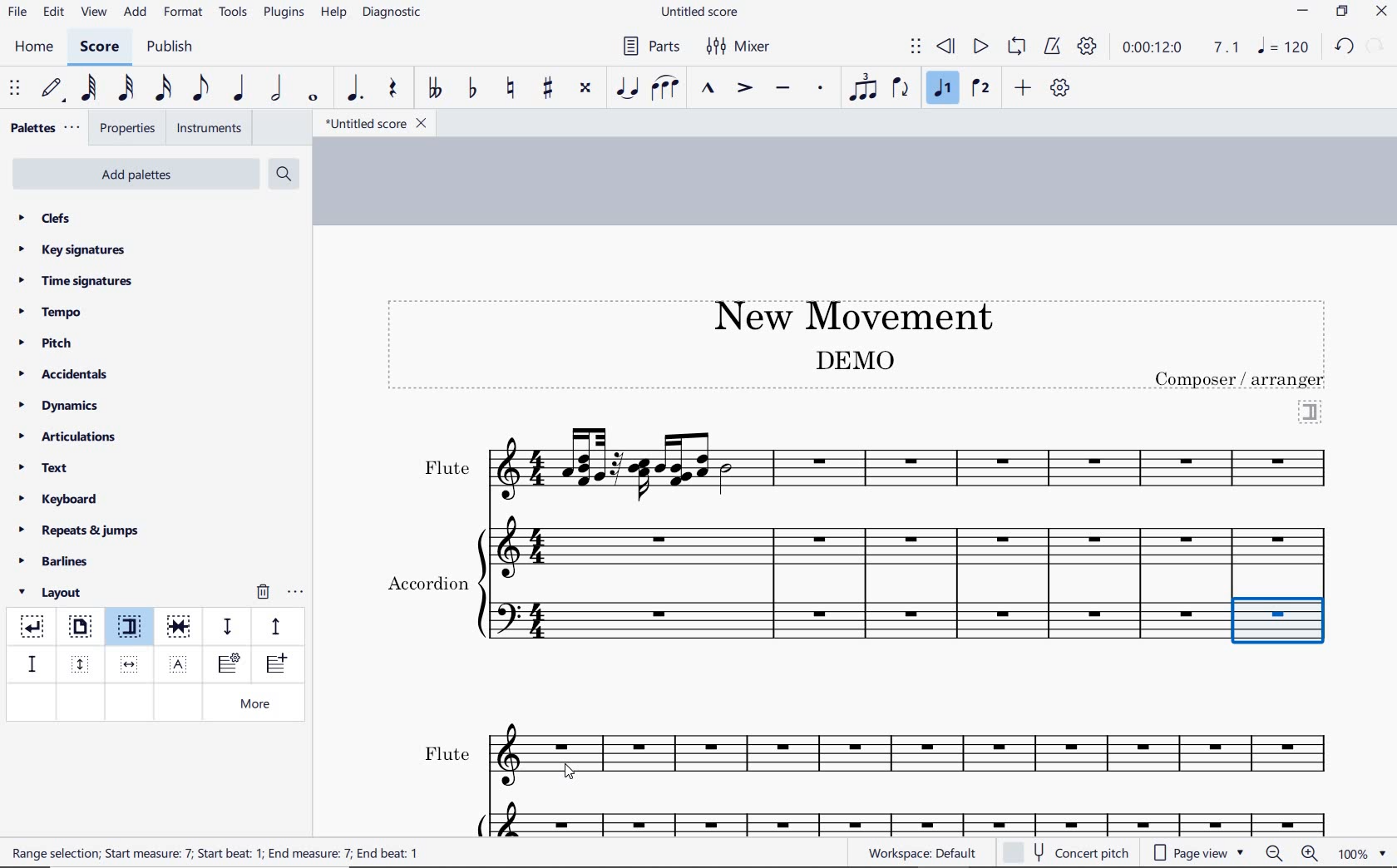 The height and width of the screenshot is (868, 1397). Describe the element at coordinates (1228, 48) in the screenshot. I see `Playback speed` at that location.